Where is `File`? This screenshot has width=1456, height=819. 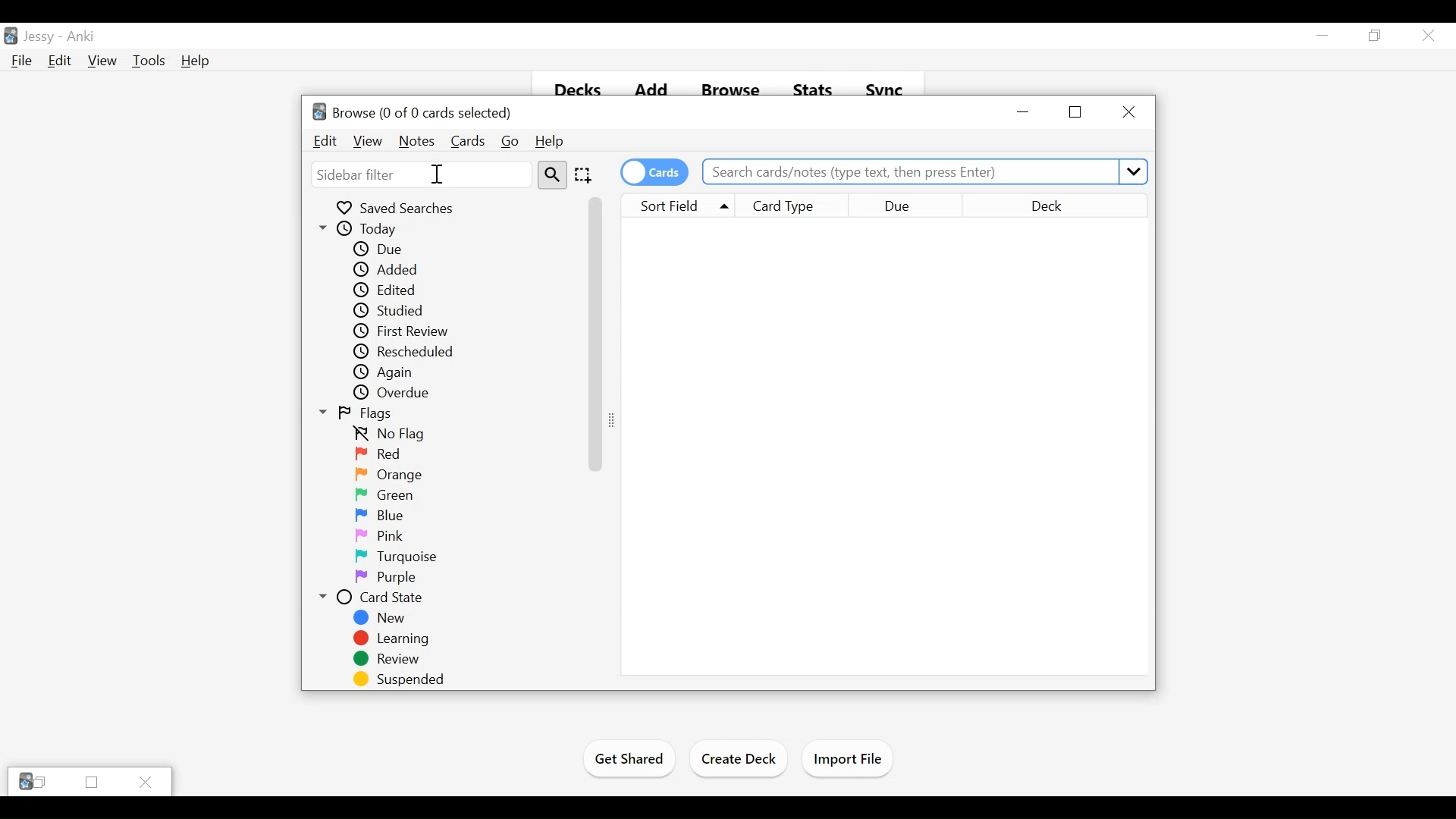
File is located at coordinates (19, 61).